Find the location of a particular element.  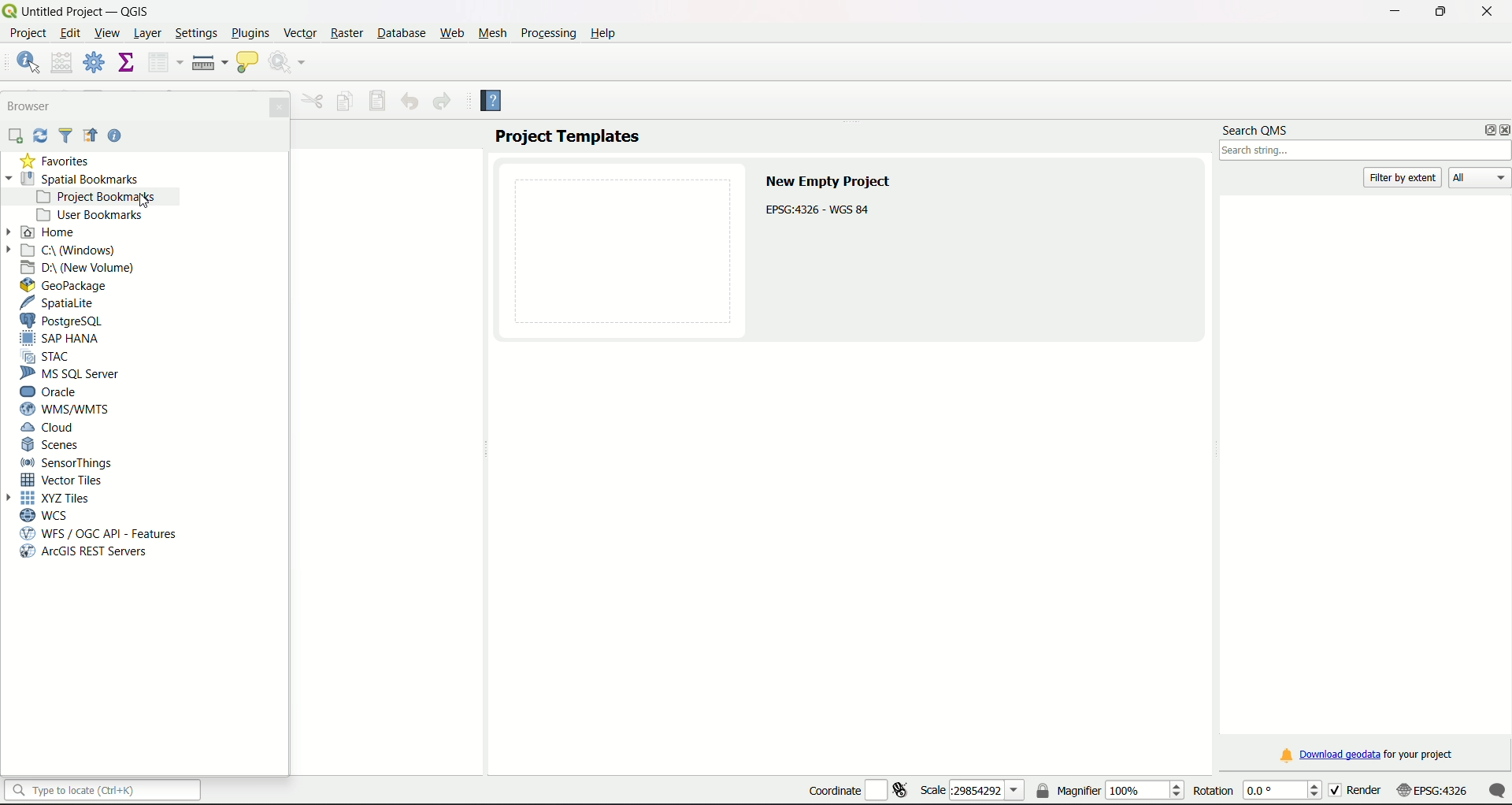

Close is located at coordinates (278, 107).